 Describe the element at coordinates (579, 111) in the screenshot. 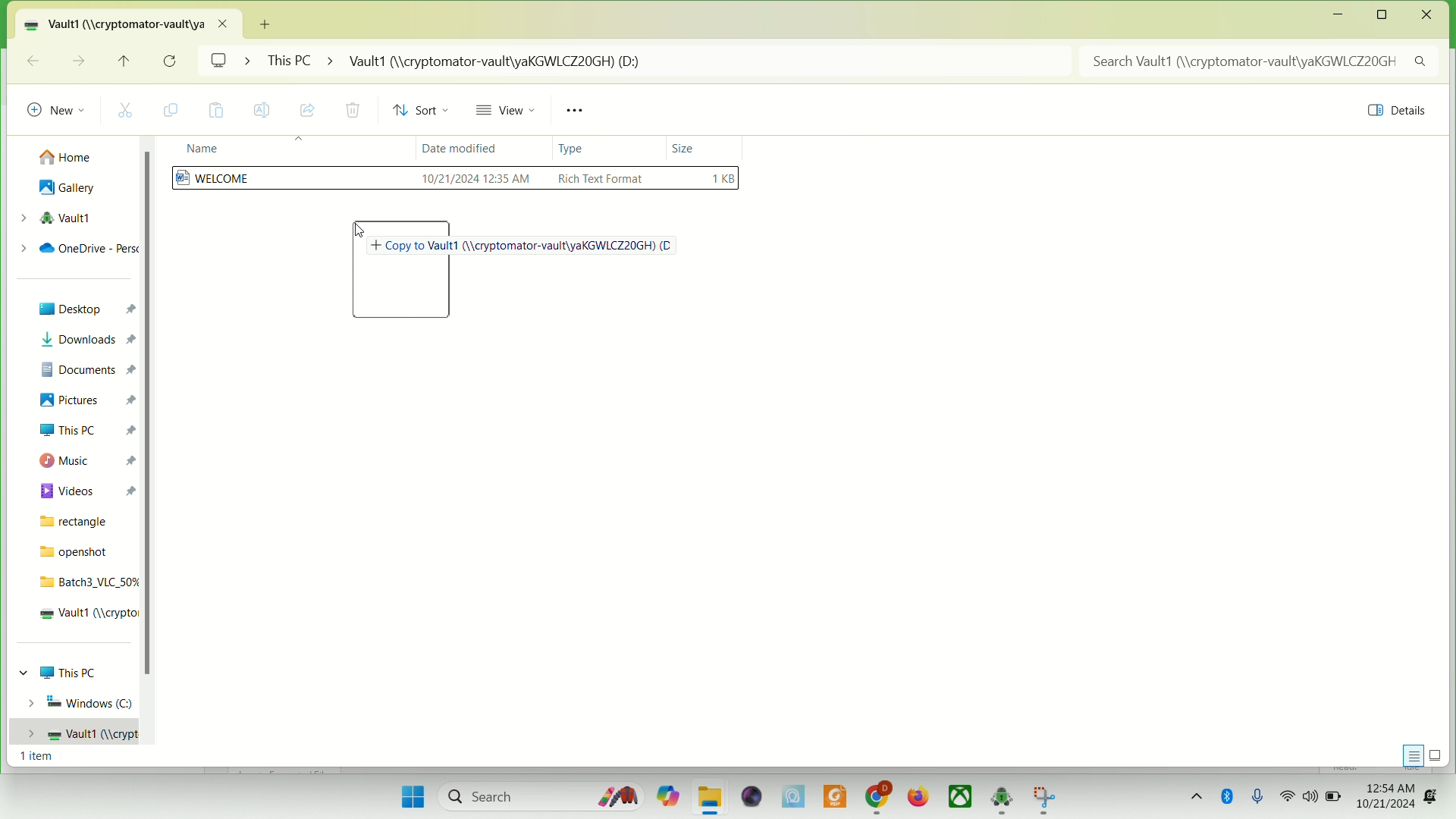

I see `see more` at that location.